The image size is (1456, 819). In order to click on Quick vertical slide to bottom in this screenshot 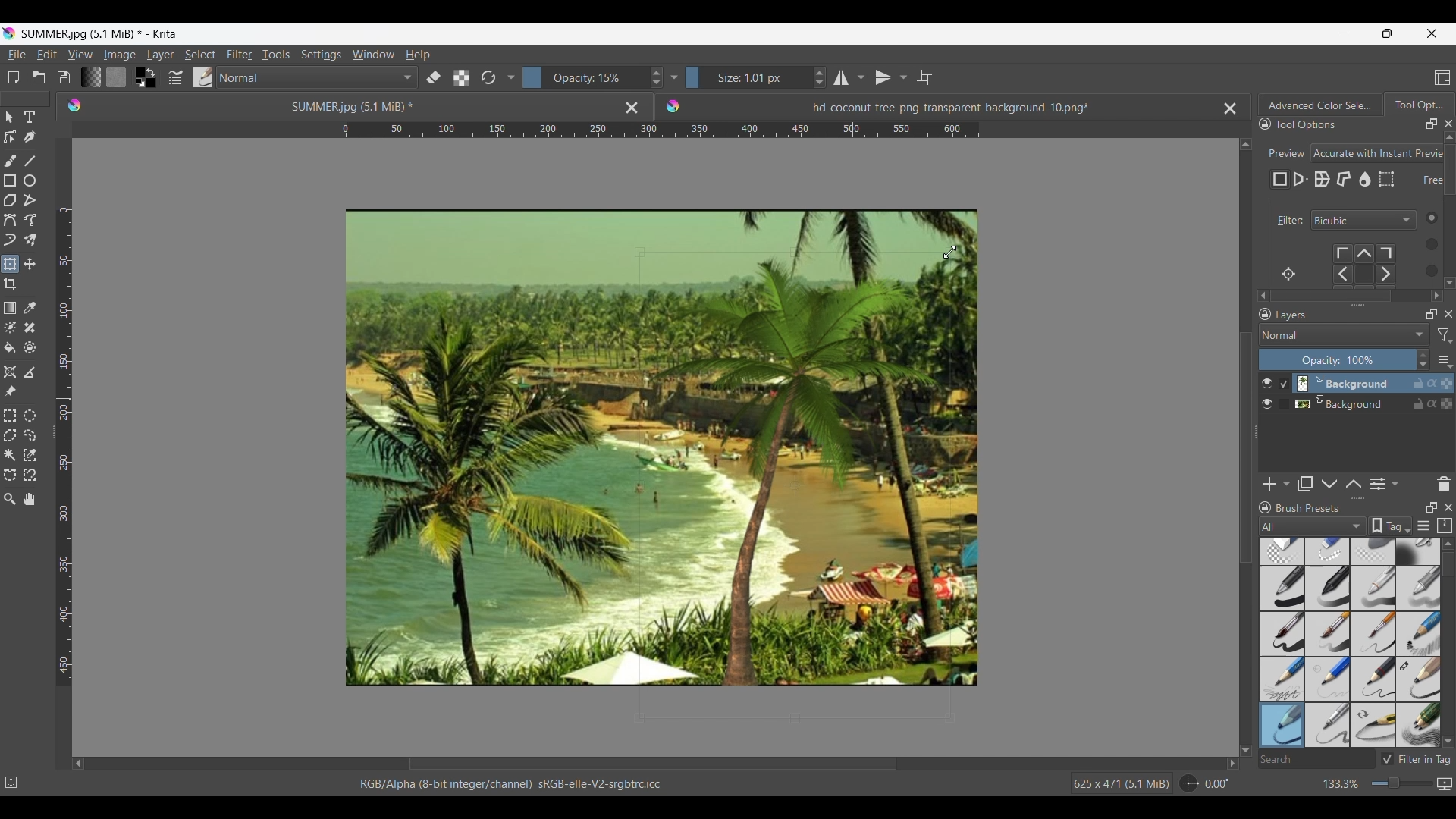, I will do `click(1449, 296)`.